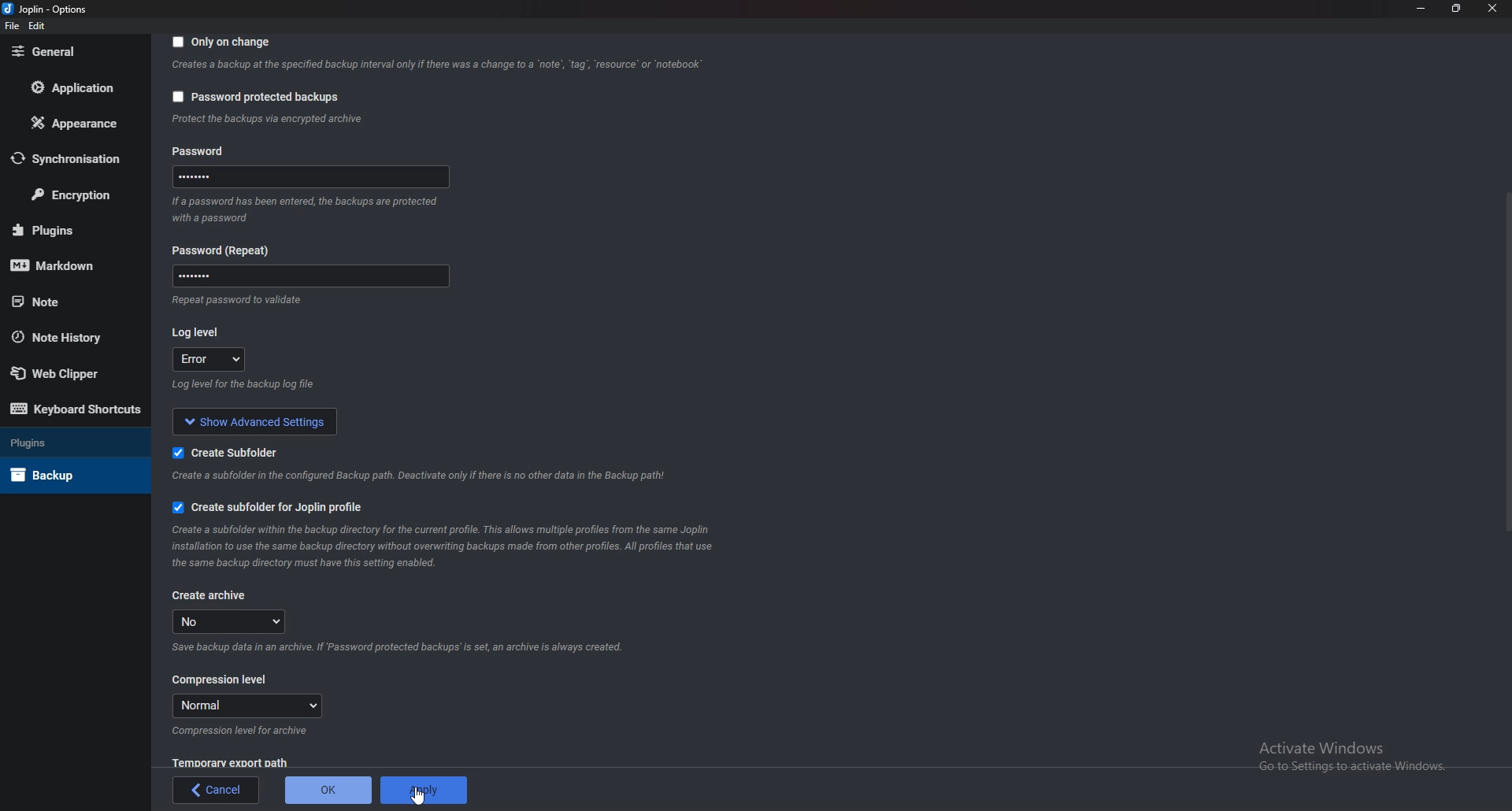  What do you see at coordinates (1421, 8) in the screenshot?
I see `minimize` at bounding box center [1421, 8].